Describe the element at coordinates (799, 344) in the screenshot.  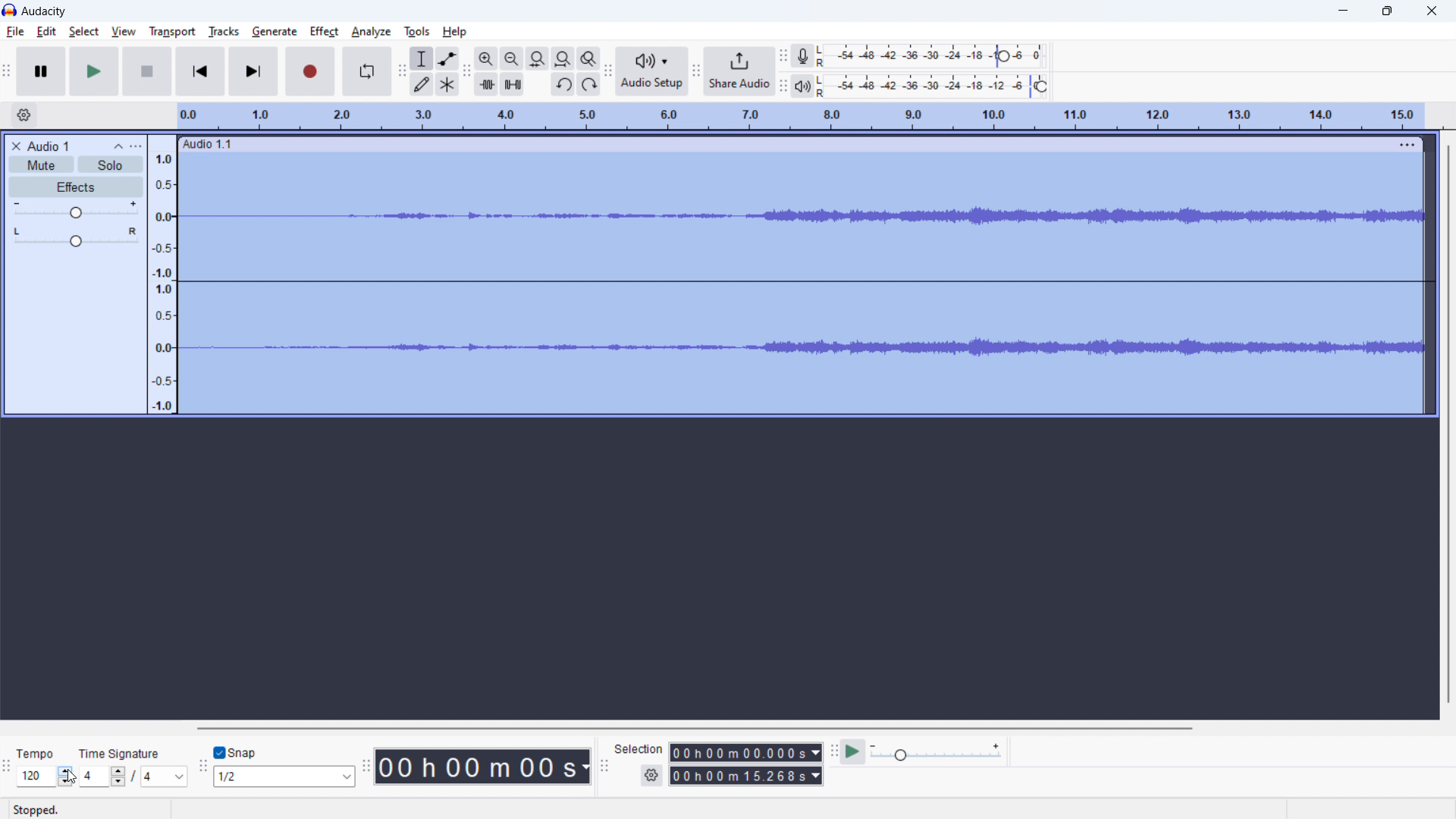
I see `Waveform` at that location.